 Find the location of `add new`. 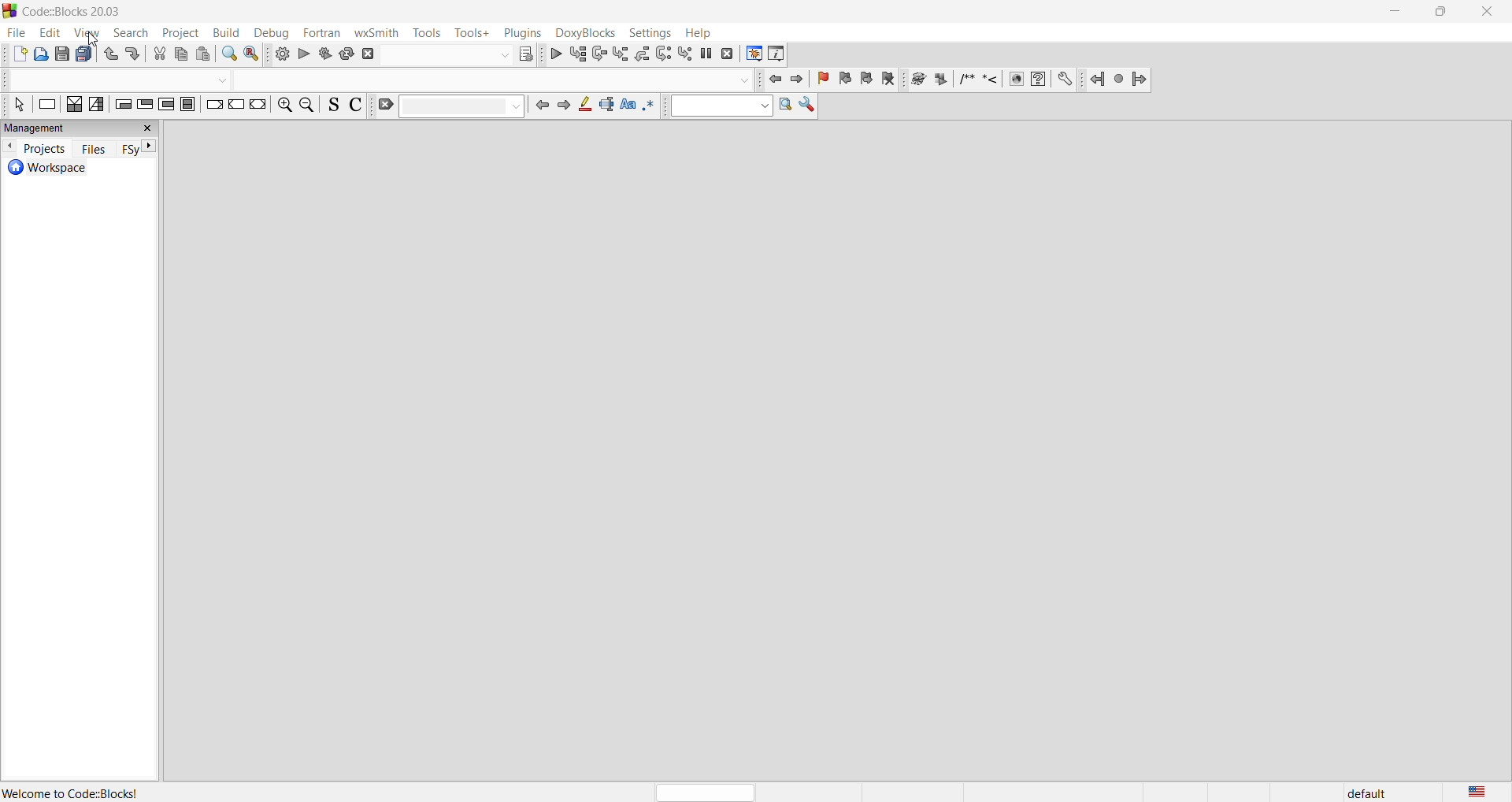

add new is located at coordinates (17, 55).